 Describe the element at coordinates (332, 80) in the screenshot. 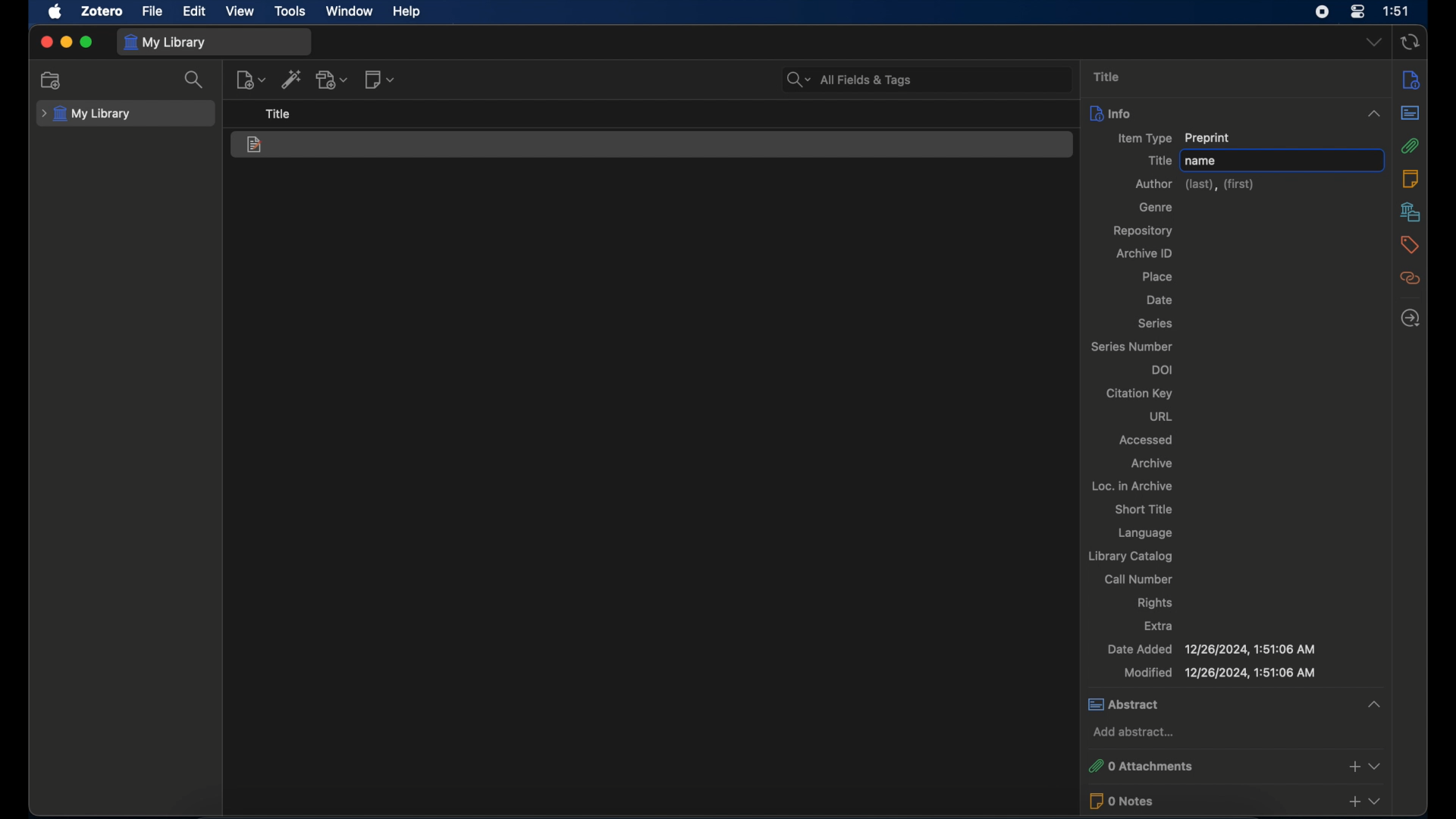

I see `add attachment` at that location.